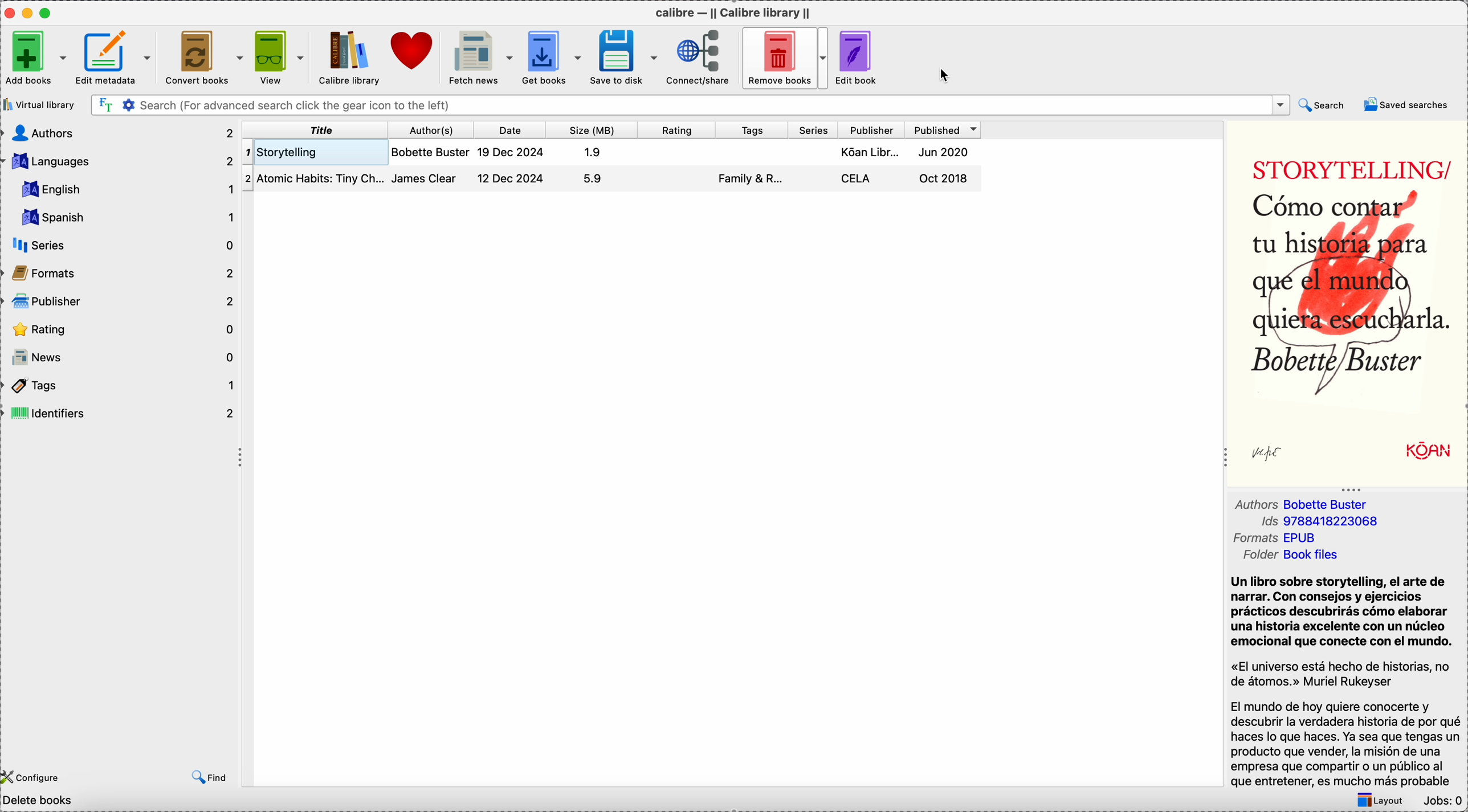 This screenshot has height=812, width=1468. Describe the element at coordinates (702, 58) in the screenshot. I see `connect/share` at that location.